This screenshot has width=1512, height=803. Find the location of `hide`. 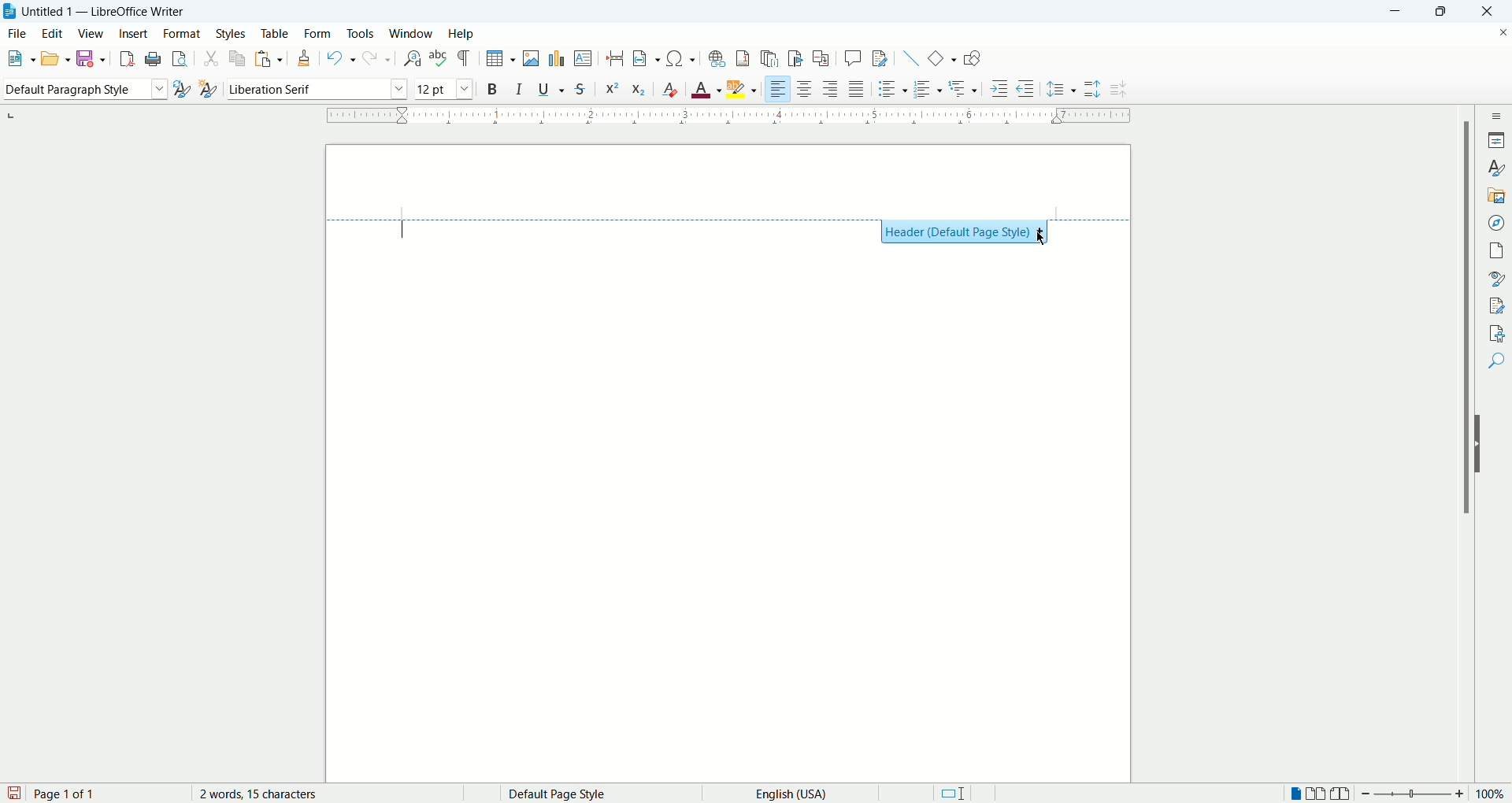

hide is located at coordinates (1482, 448).